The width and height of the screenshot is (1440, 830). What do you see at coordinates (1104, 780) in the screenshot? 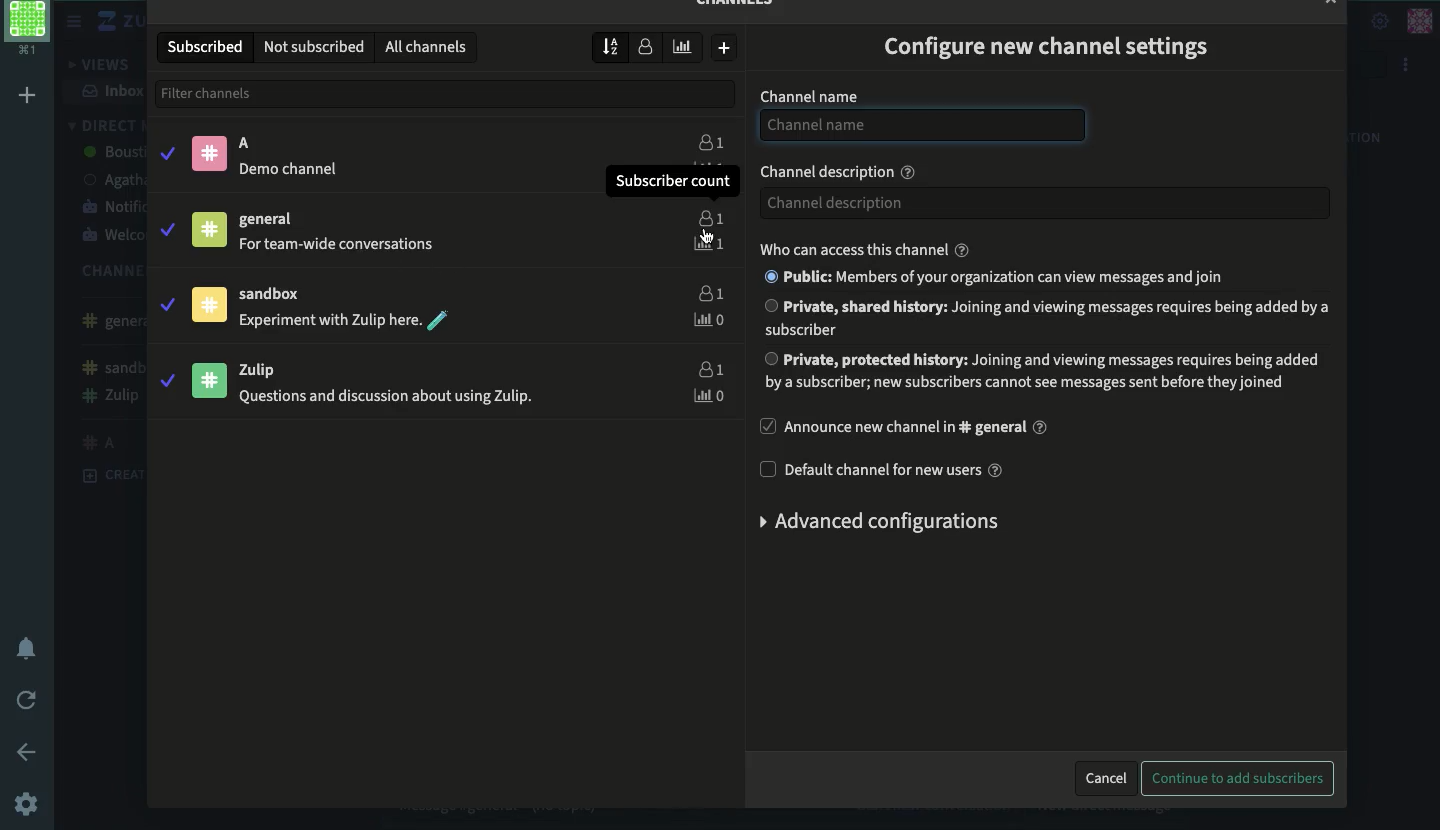
I see `cancel` at bounding box center [1104, 780].